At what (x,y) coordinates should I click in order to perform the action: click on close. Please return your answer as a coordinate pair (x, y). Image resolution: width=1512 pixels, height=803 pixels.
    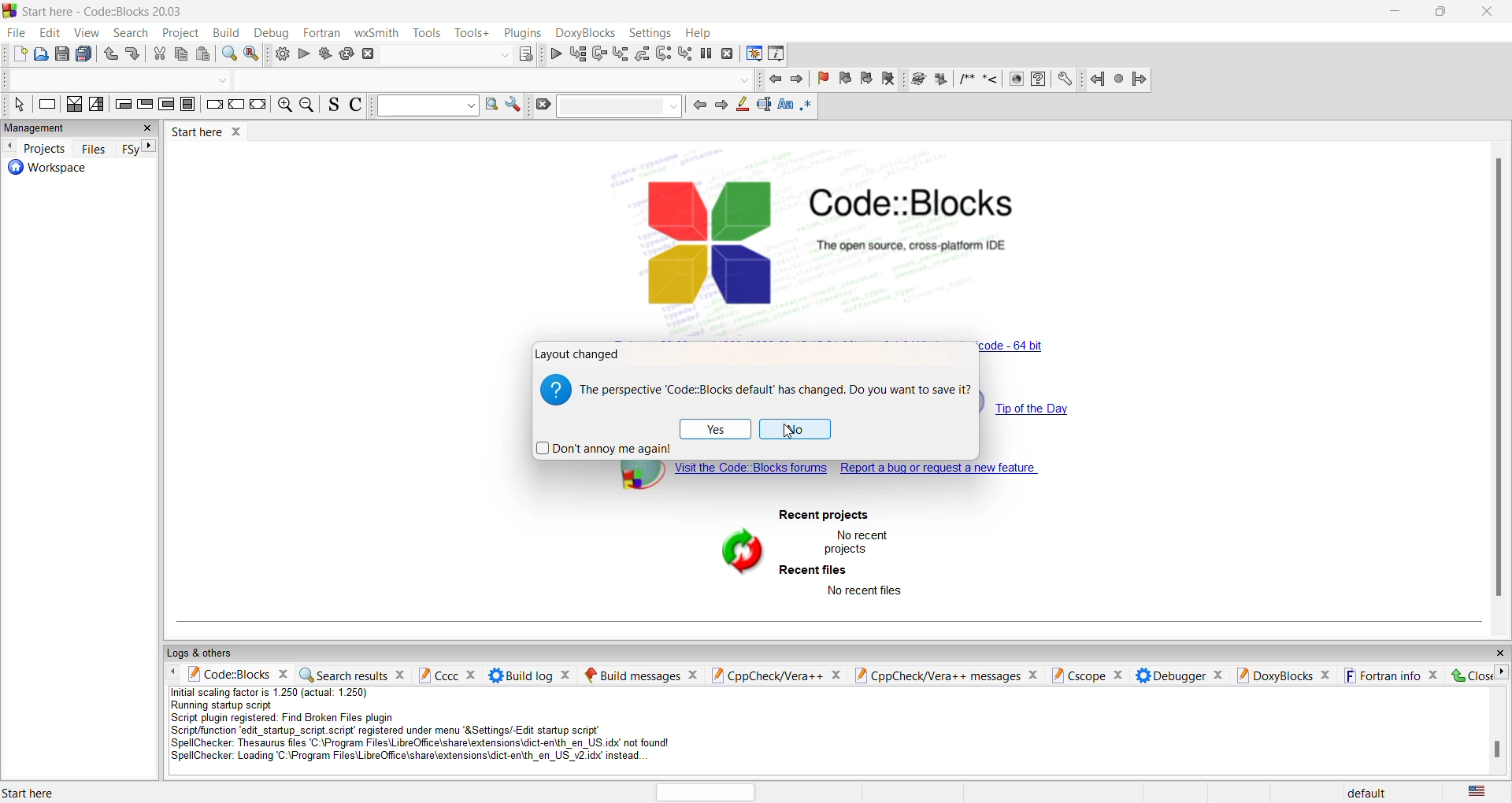
    Looking at the image, I should click on (398, 676).